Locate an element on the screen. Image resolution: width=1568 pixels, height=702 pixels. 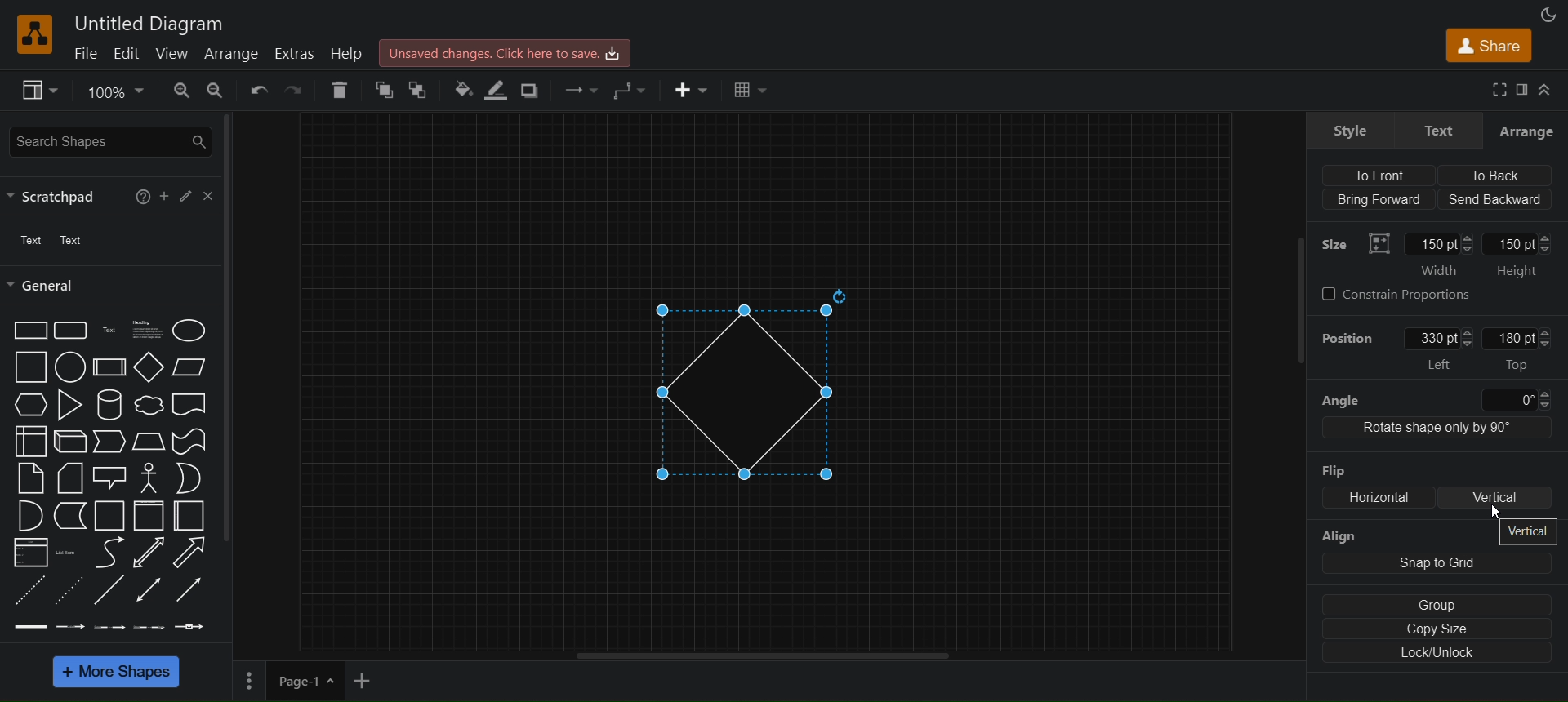
vertical is located at coordinates (1496, 498).